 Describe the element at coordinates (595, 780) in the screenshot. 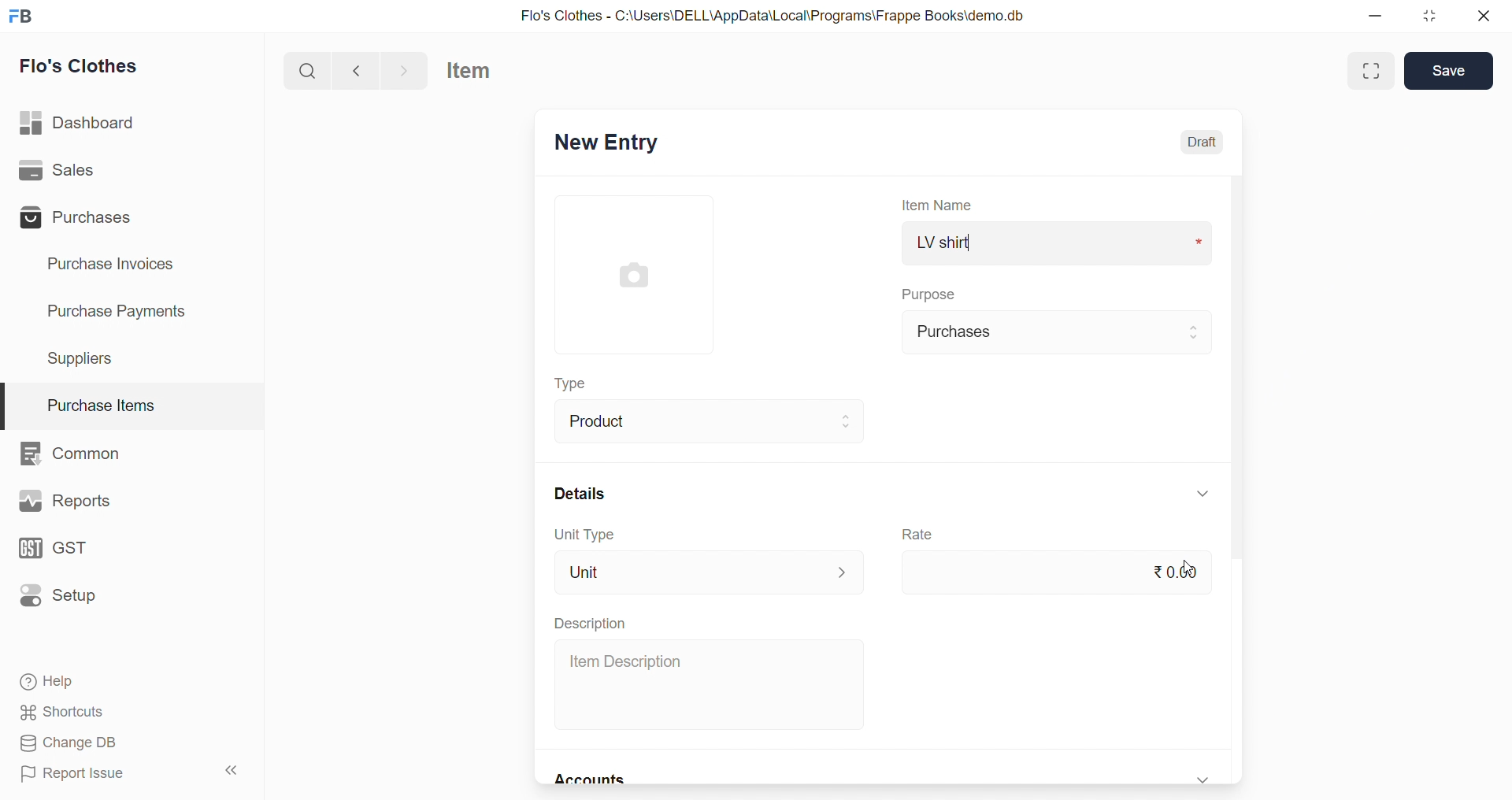

I see `Accounts` at that location.